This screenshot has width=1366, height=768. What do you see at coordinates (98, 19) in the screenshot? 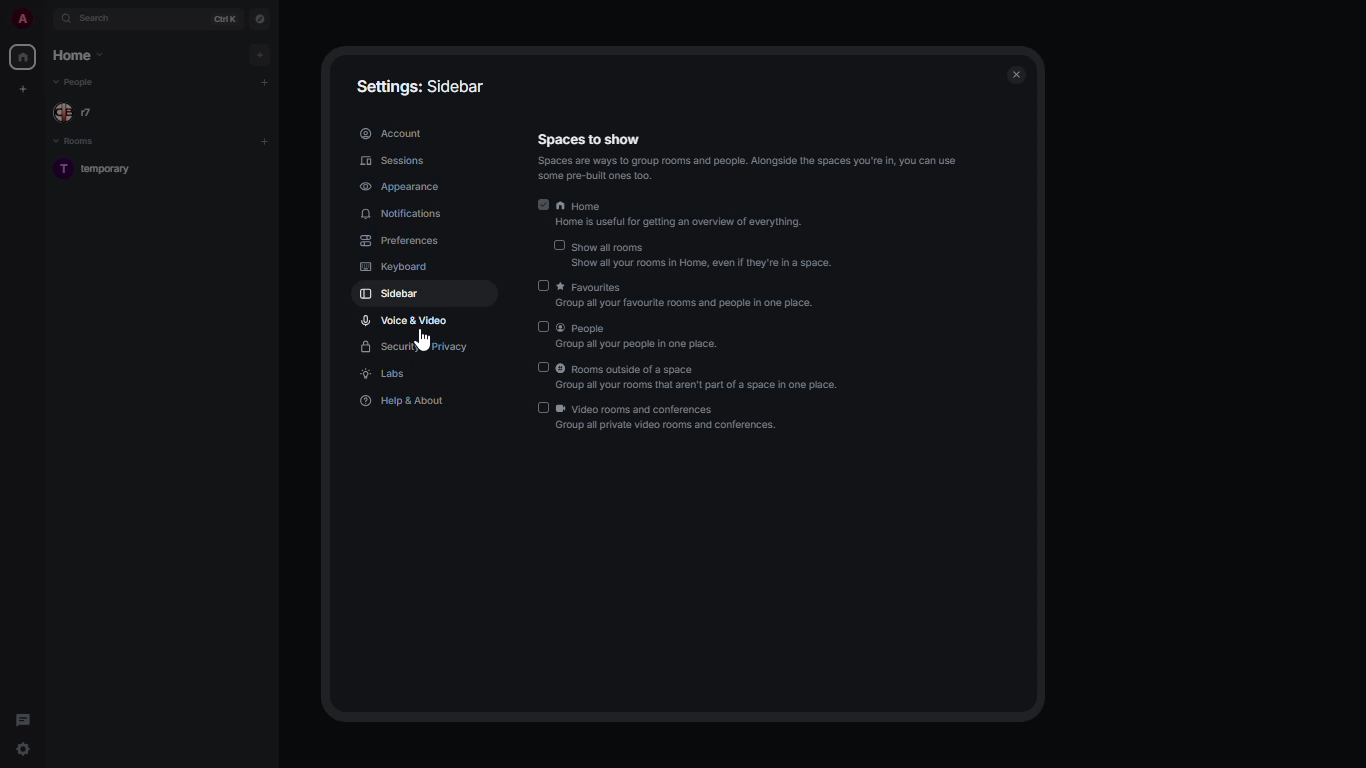
I see `search` at bounding box center [98, 19].